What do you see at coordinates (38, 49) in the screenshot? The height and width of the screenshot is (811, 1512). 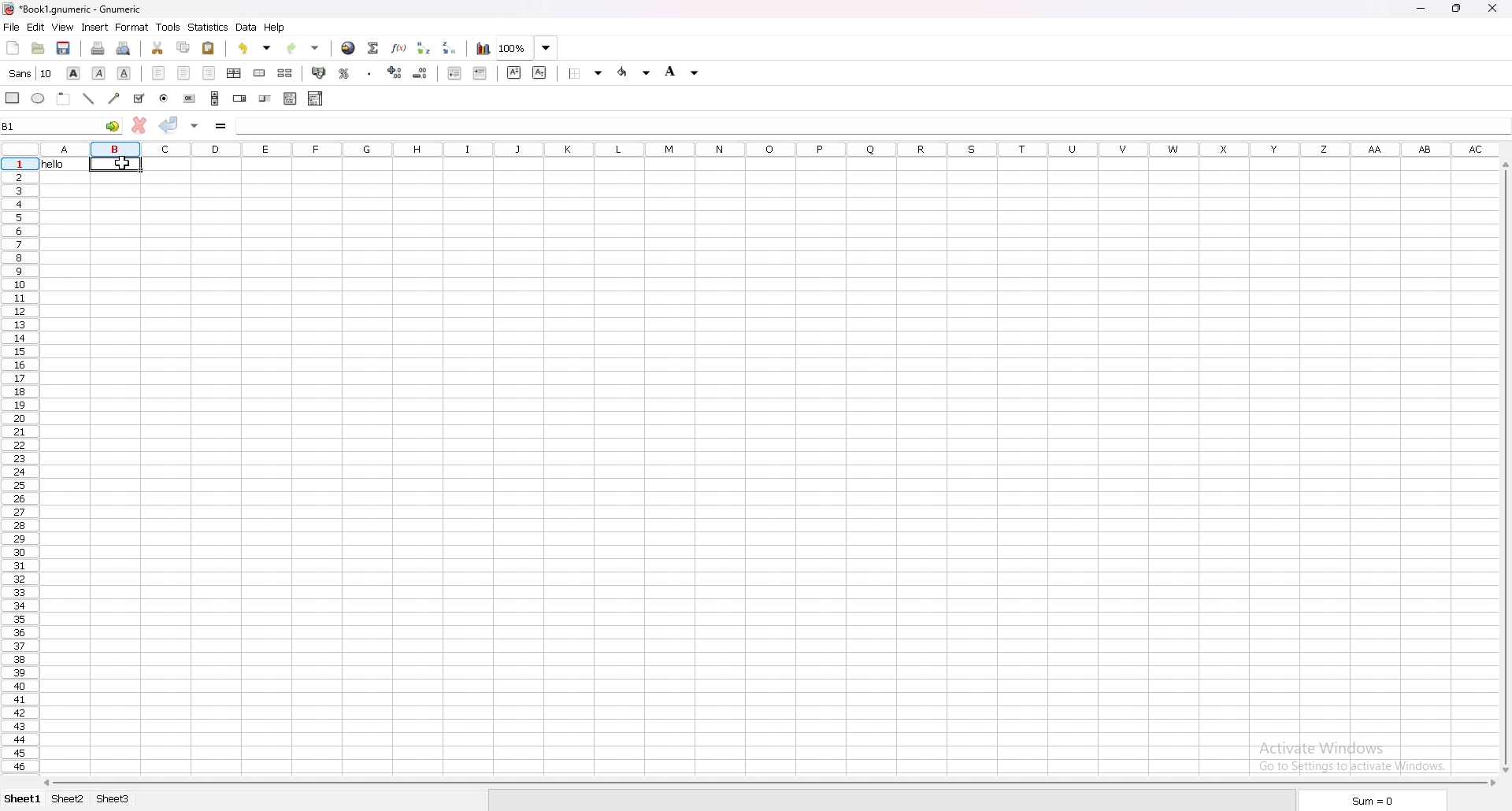 I see `open` at bounding box center [38, 49].